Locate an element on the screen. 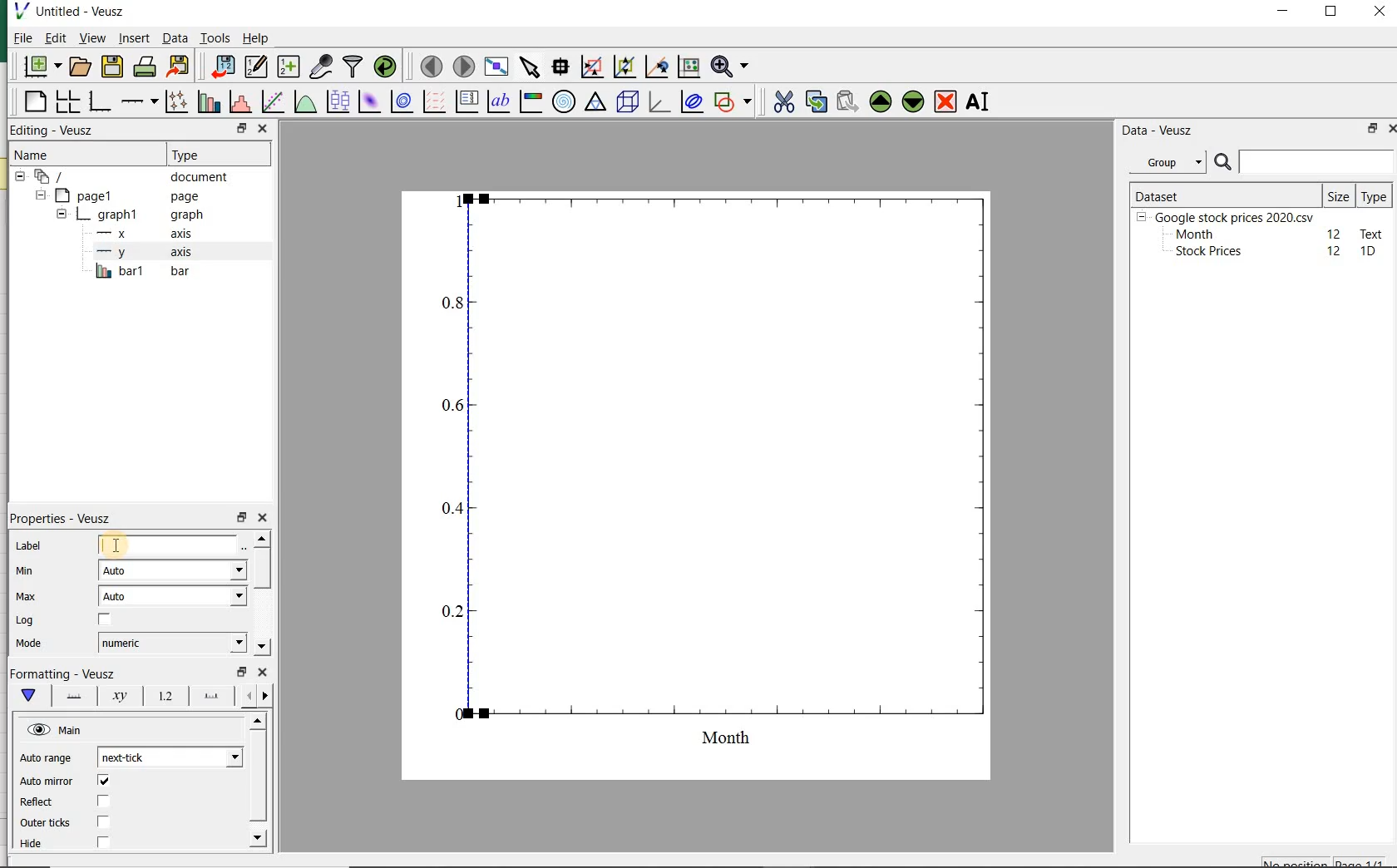  click or draw a rectangle to zoom graph axes is located at coordinates (591, 67).